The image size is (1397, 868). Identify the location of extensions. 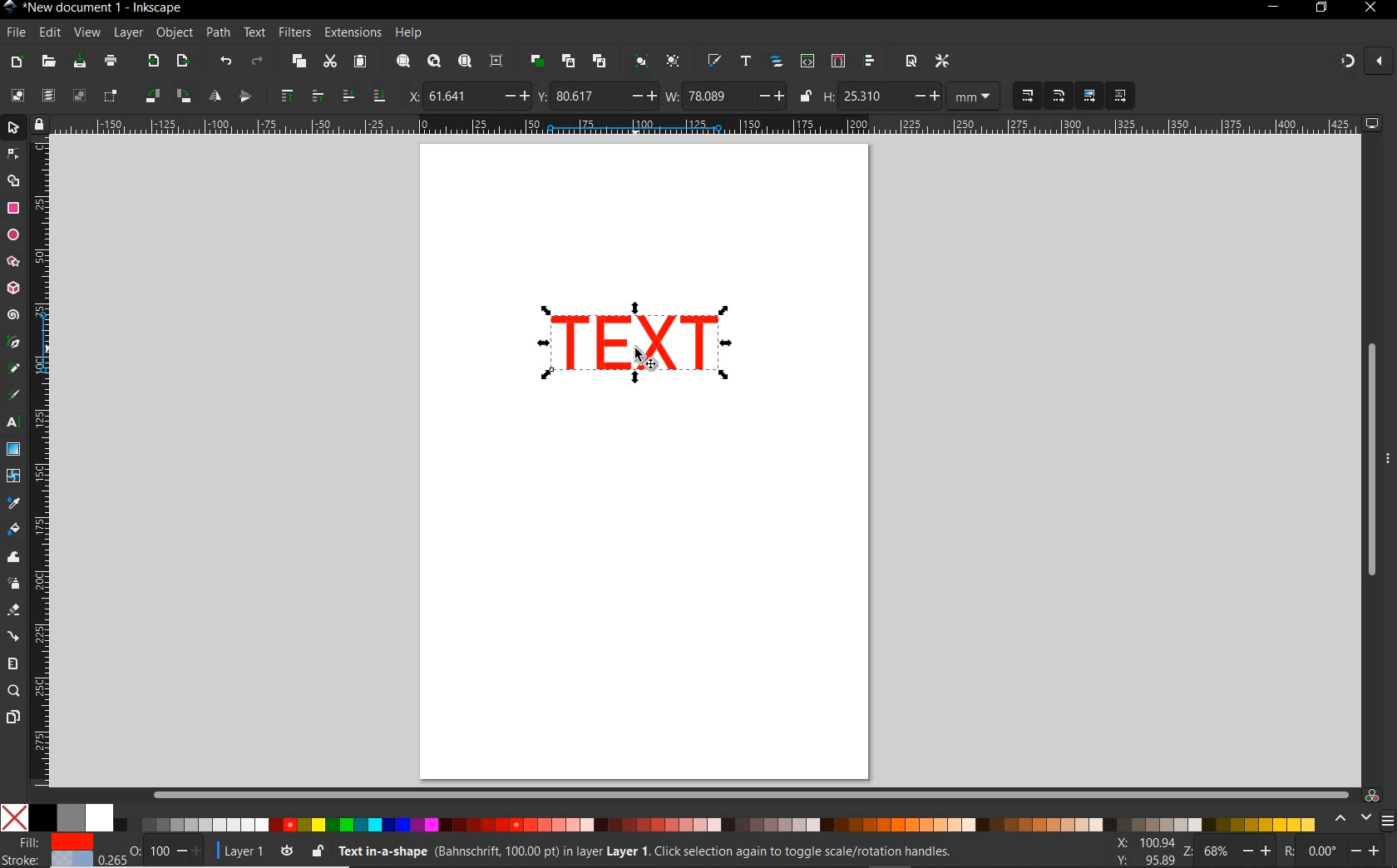
(352, 32).